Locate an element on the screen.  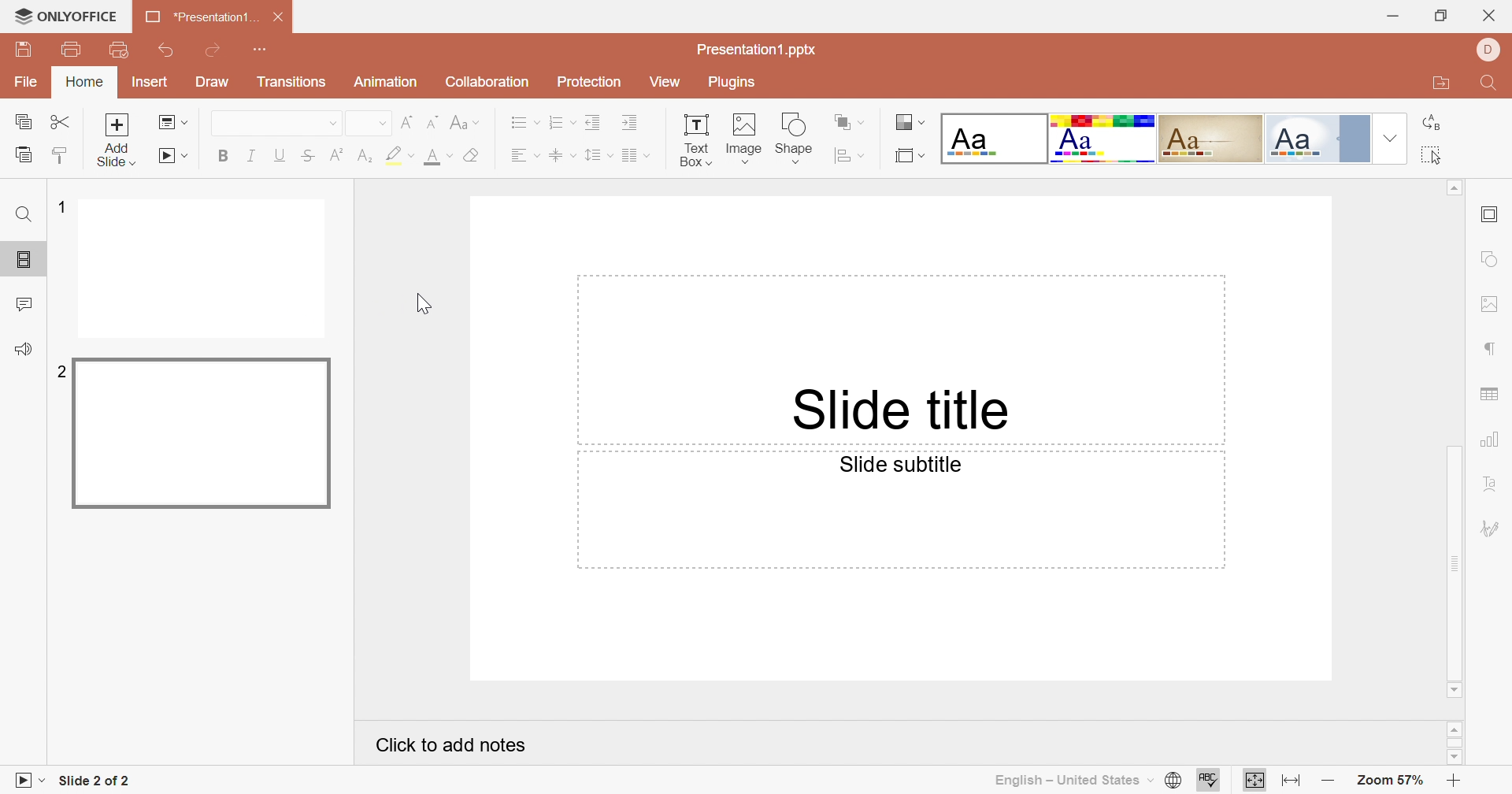
Slide settings is located at coordinates (1492, 213).